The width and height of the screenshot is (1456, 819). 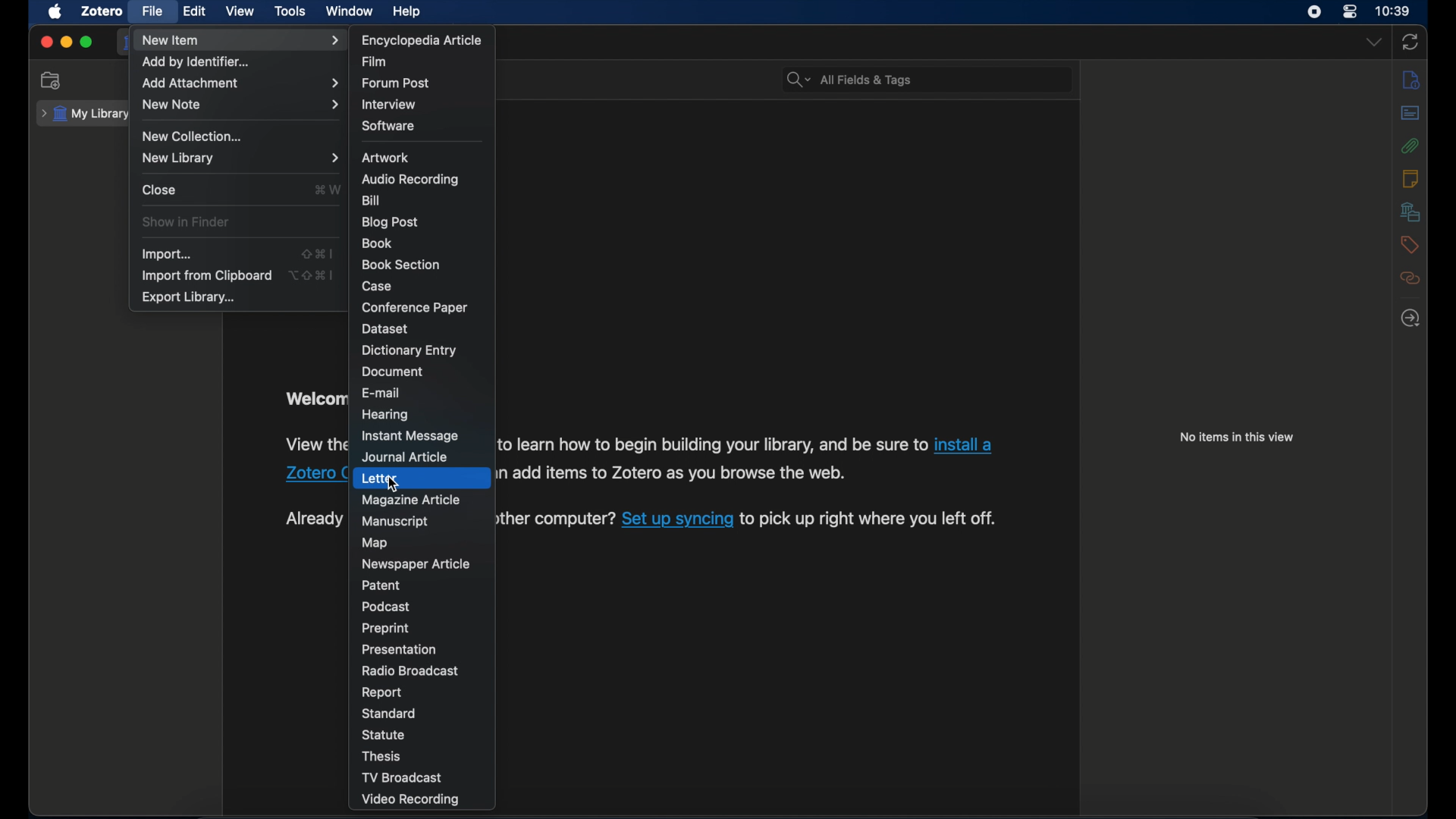 I want to click on shortcut, so click(x=318, y=255).